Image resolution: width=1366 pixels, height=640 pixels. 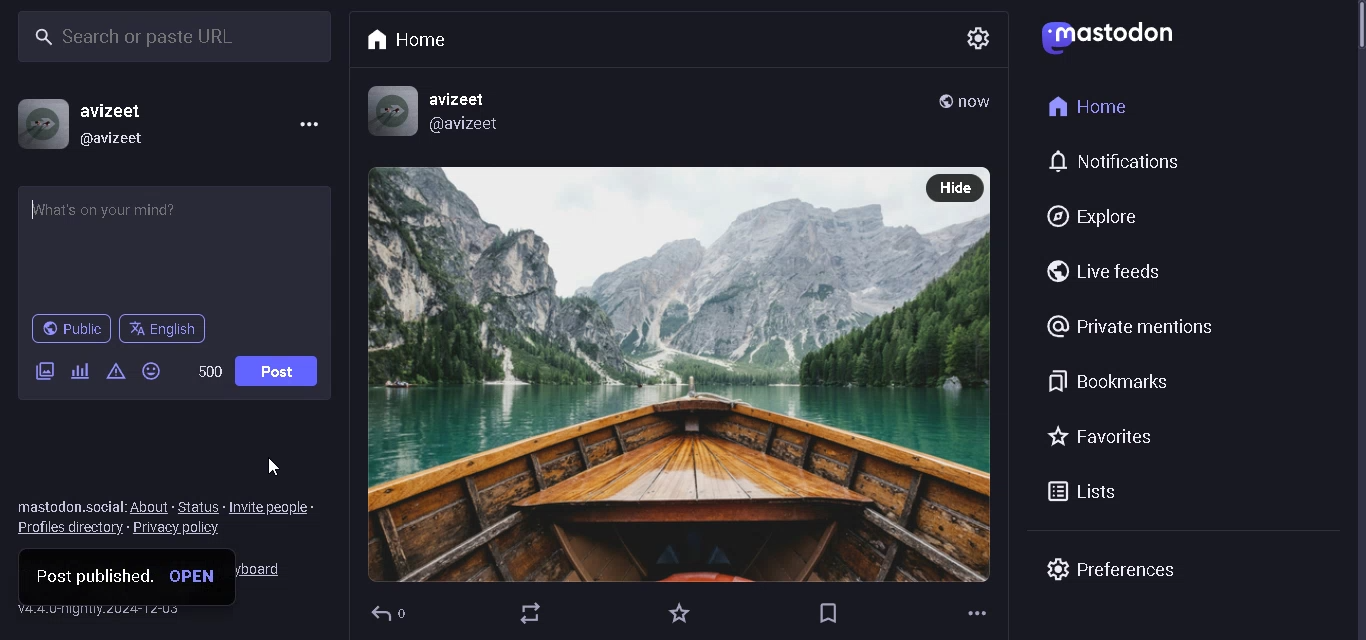 What do you see at coordinates (404, 41) in the screenshot?
I see `home tab` at bounding box center [404, 41].